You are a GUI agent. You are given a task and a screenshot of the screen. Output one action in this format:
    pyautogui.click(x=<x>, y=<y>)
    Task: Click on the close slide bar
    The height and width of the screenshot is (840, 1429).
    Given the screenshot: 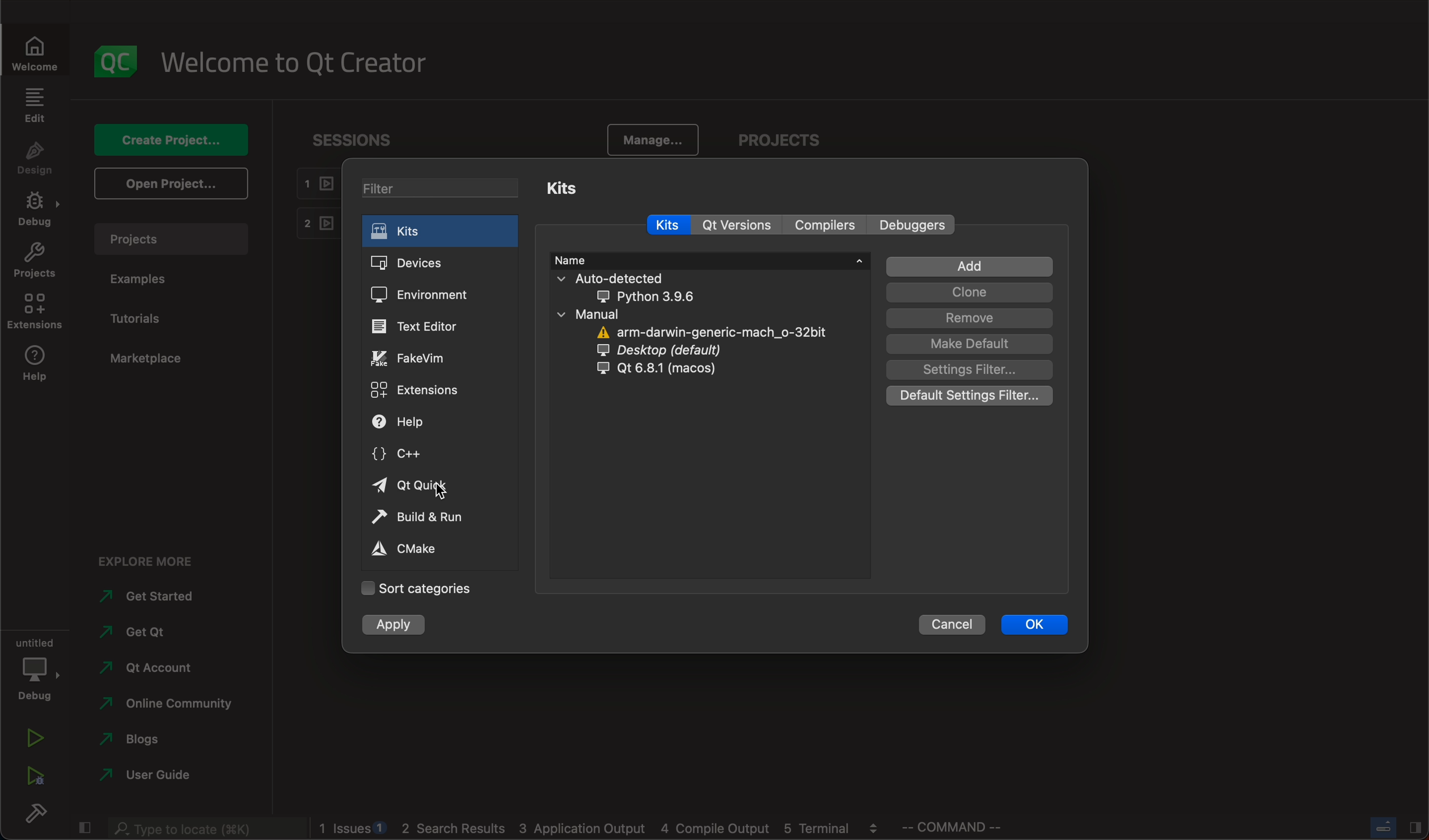 What is the action you would take?
    pyautogui.click(x=84, y=826)
    